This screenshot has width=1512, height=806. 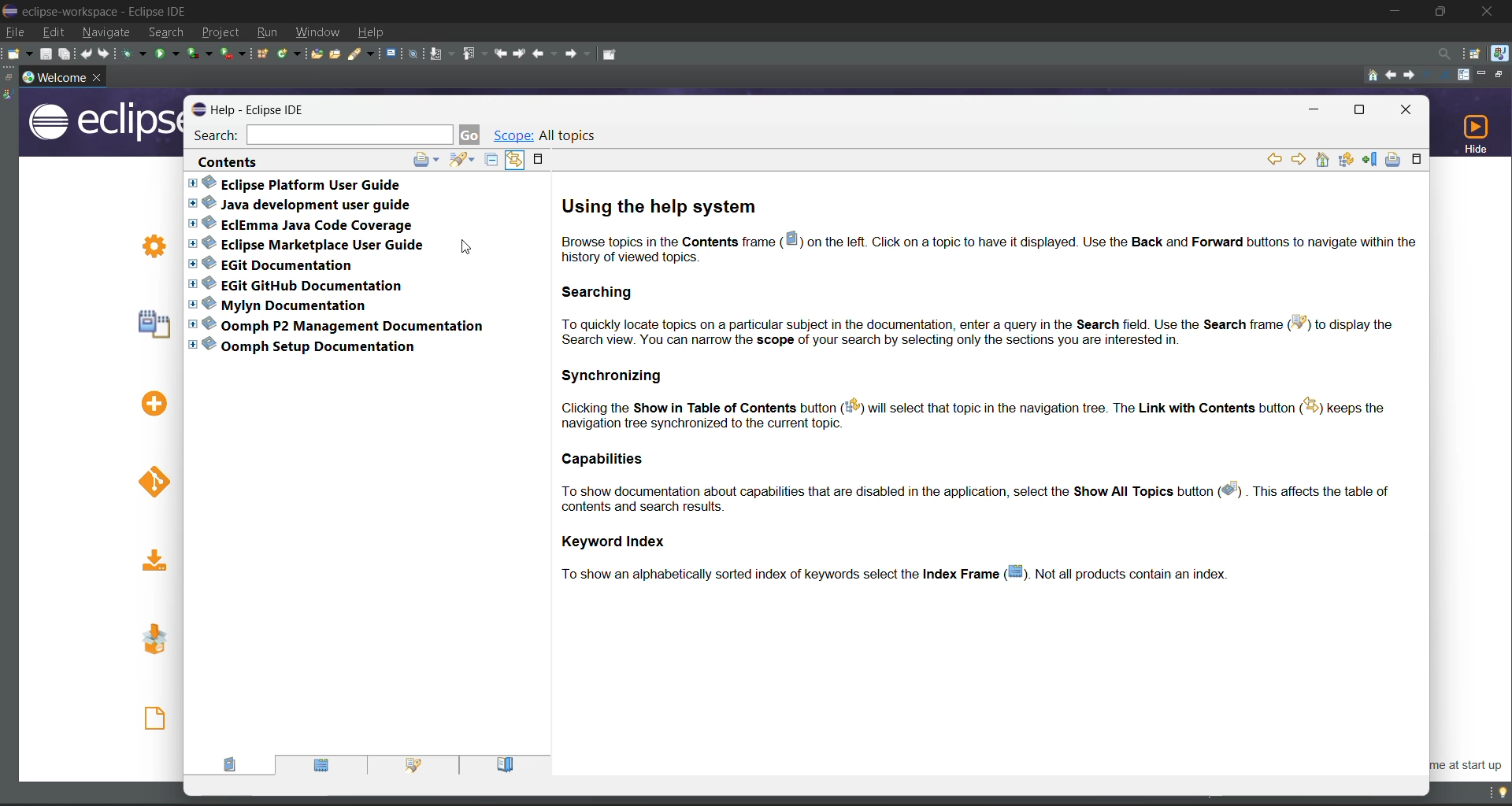 I want to click on access commands and other items, so click(x=1447, y=54).